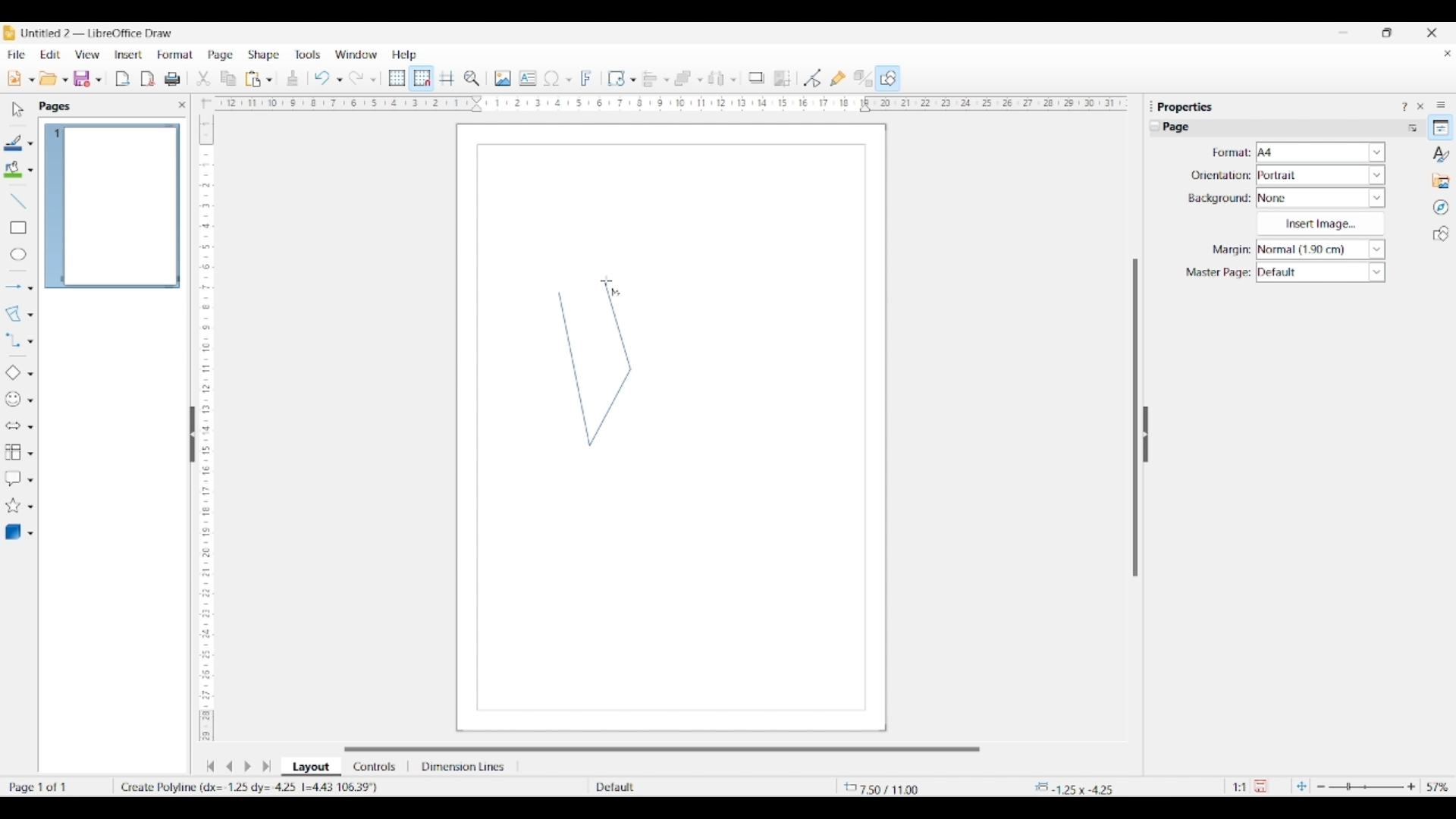 This screenshot has height=819, width=1456. What do you see at coordinates (204, 421) in the screenshot?
I see `Vertical ruler` at bounding box center [204, 421].